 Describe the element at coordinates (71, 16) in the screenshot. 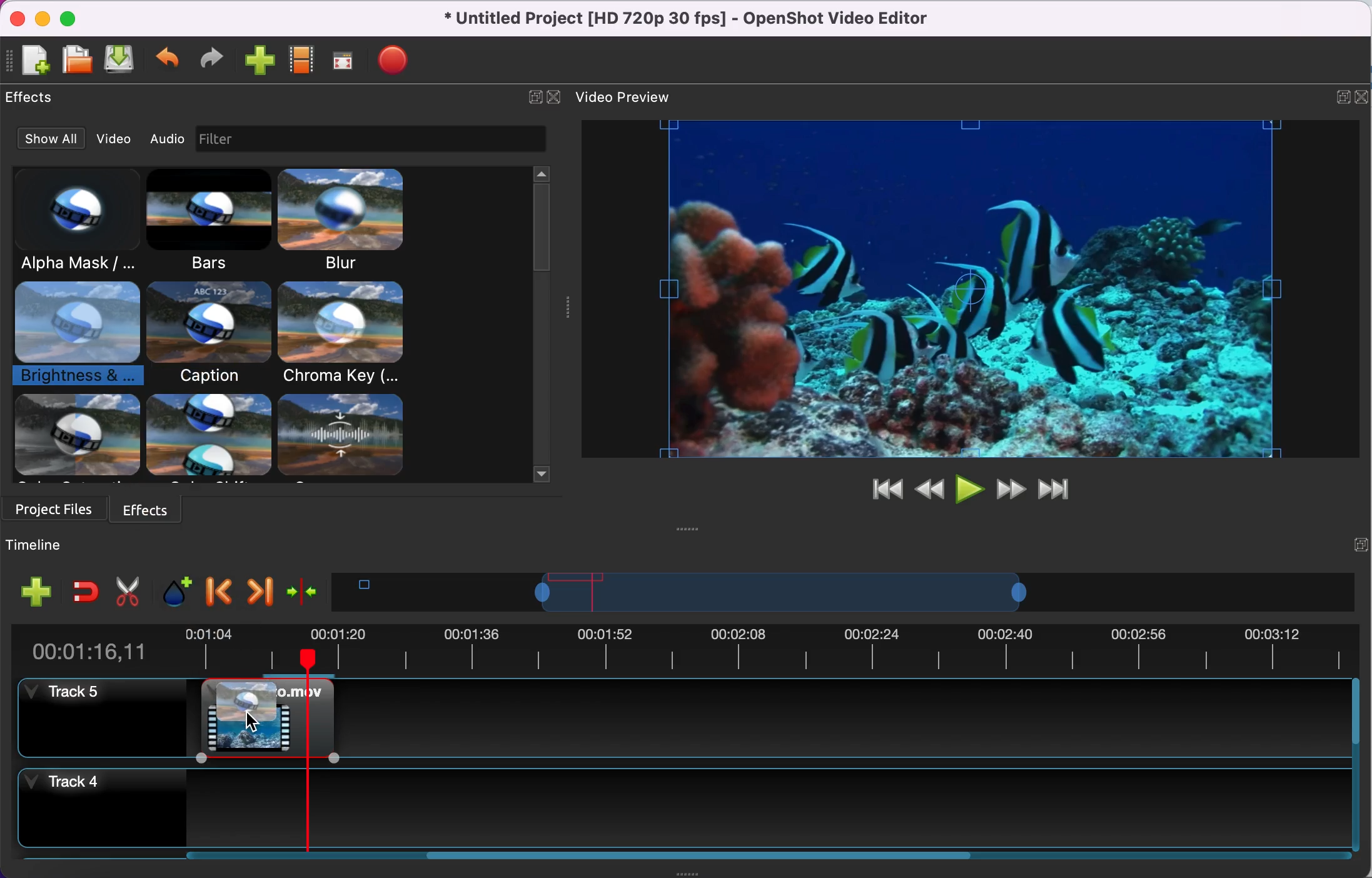

I see `maximize` at that location.